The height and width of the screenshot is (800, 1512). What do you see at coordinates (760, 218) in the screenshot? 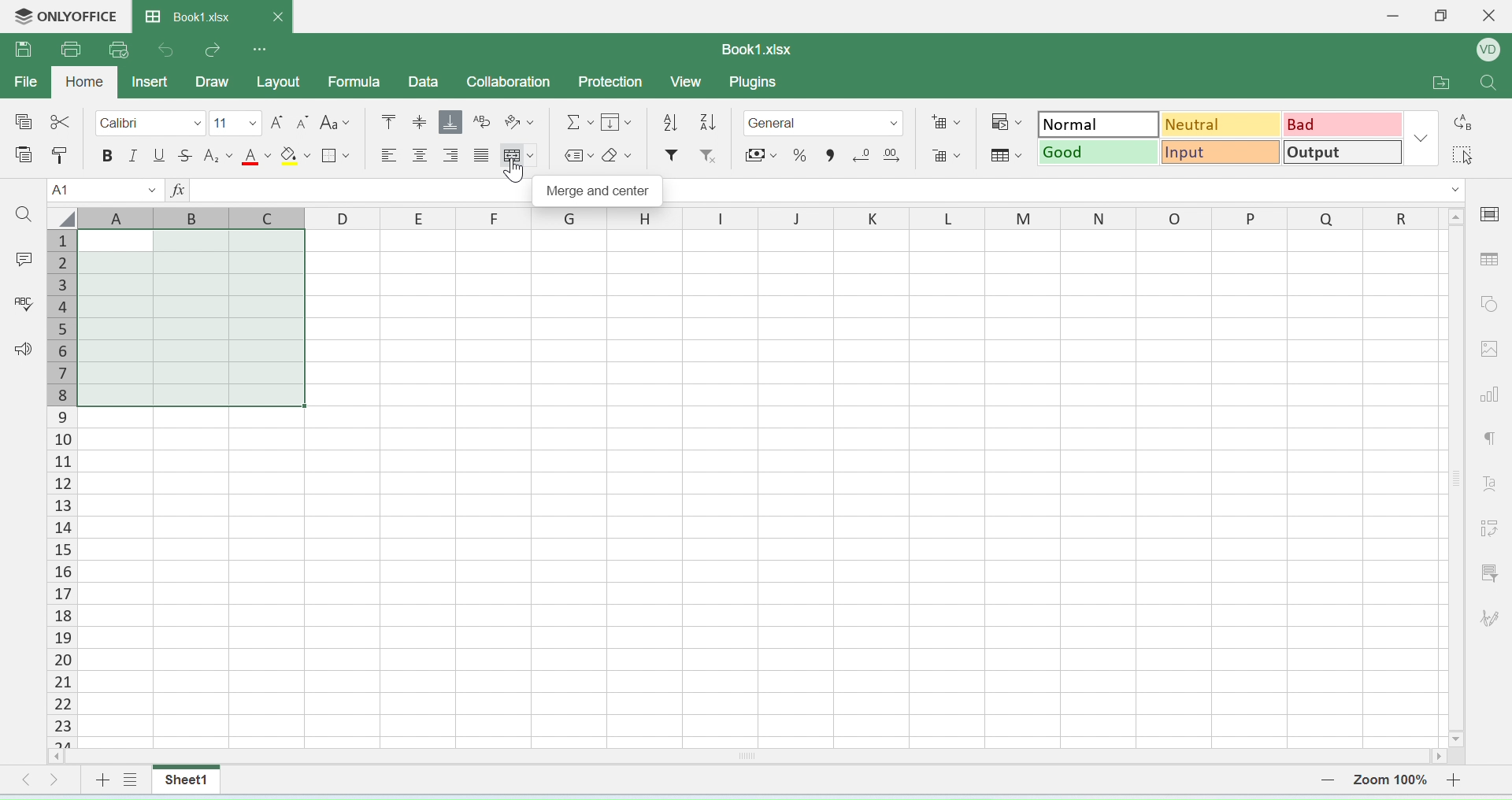
I see `row headers` at bounding box center [760, 218].